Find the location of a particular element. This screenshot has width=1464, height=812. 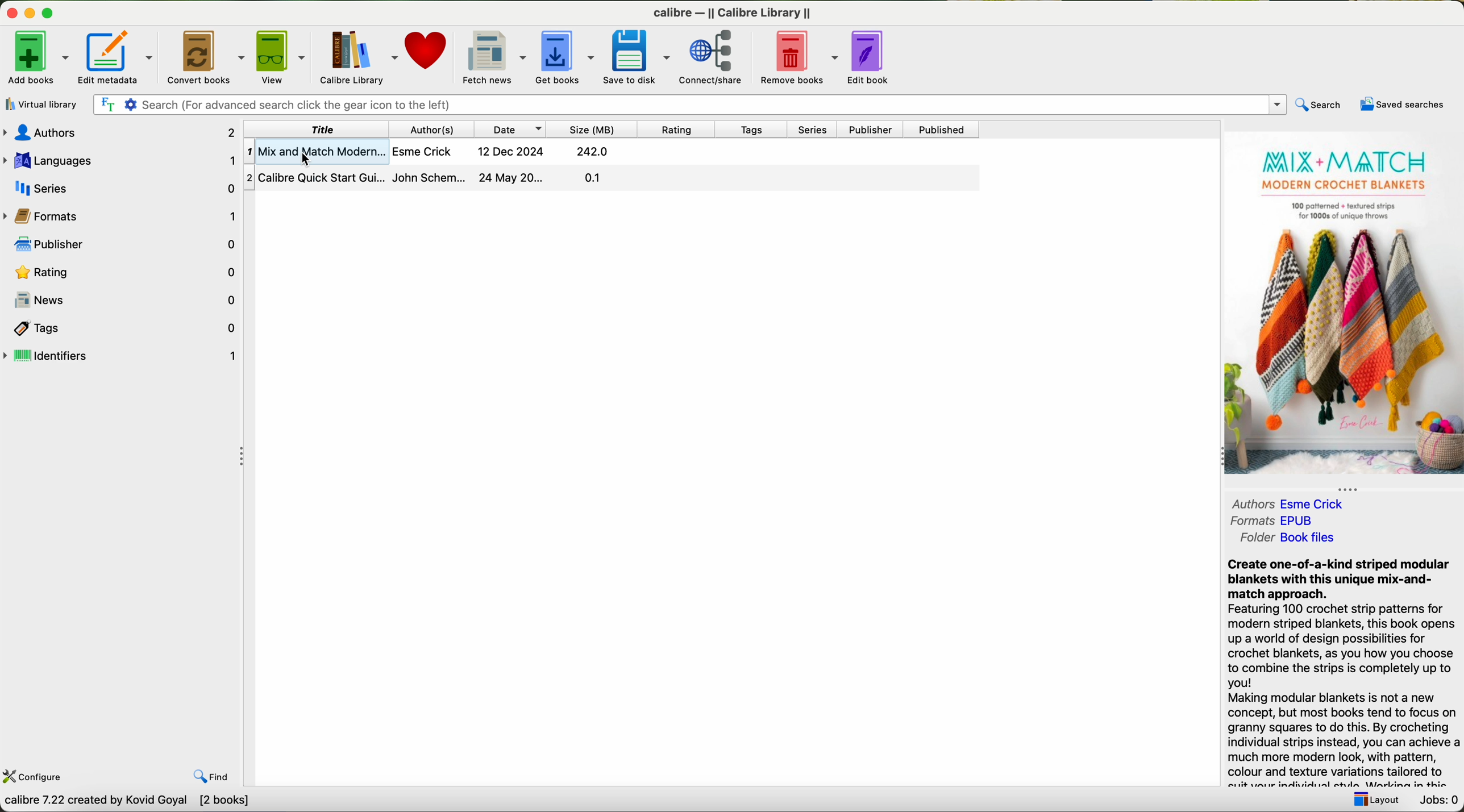

data is located at coordinates (126, 802).